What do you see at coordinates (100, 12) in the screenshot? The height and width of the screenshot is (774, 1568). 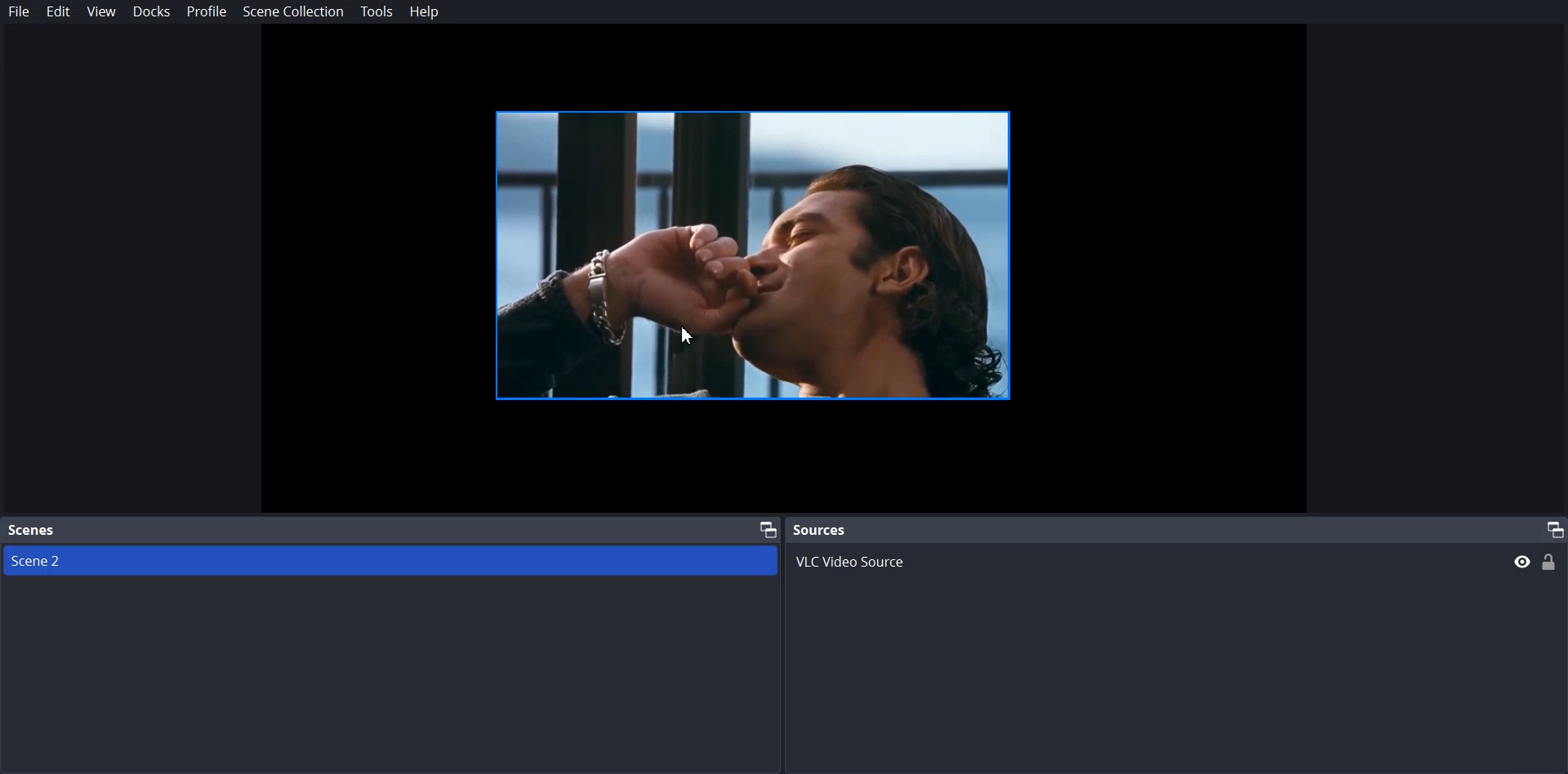 I see `View` at bounding box center [100, 12].